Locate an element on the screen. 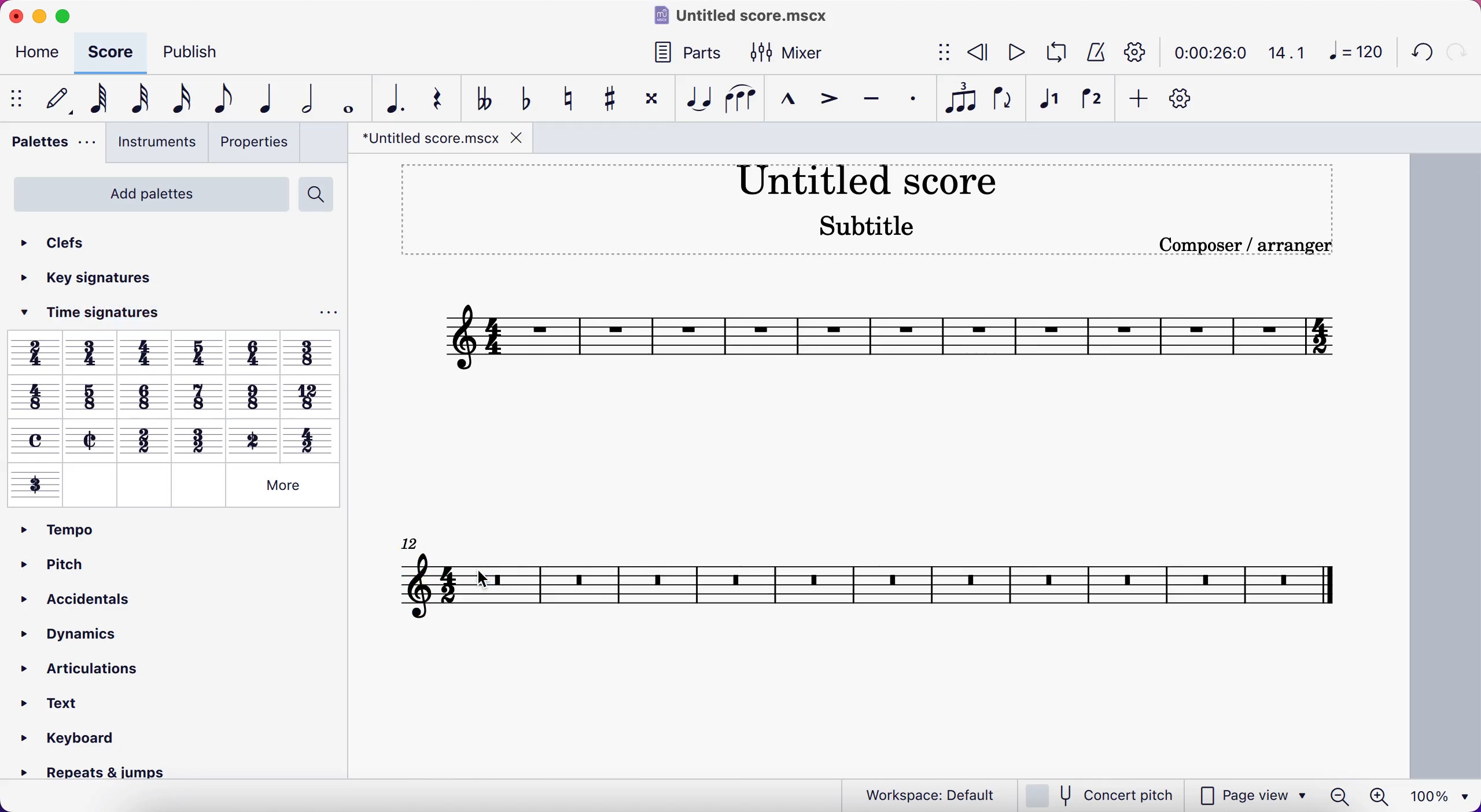  parts is located at coordinates (684, 52).